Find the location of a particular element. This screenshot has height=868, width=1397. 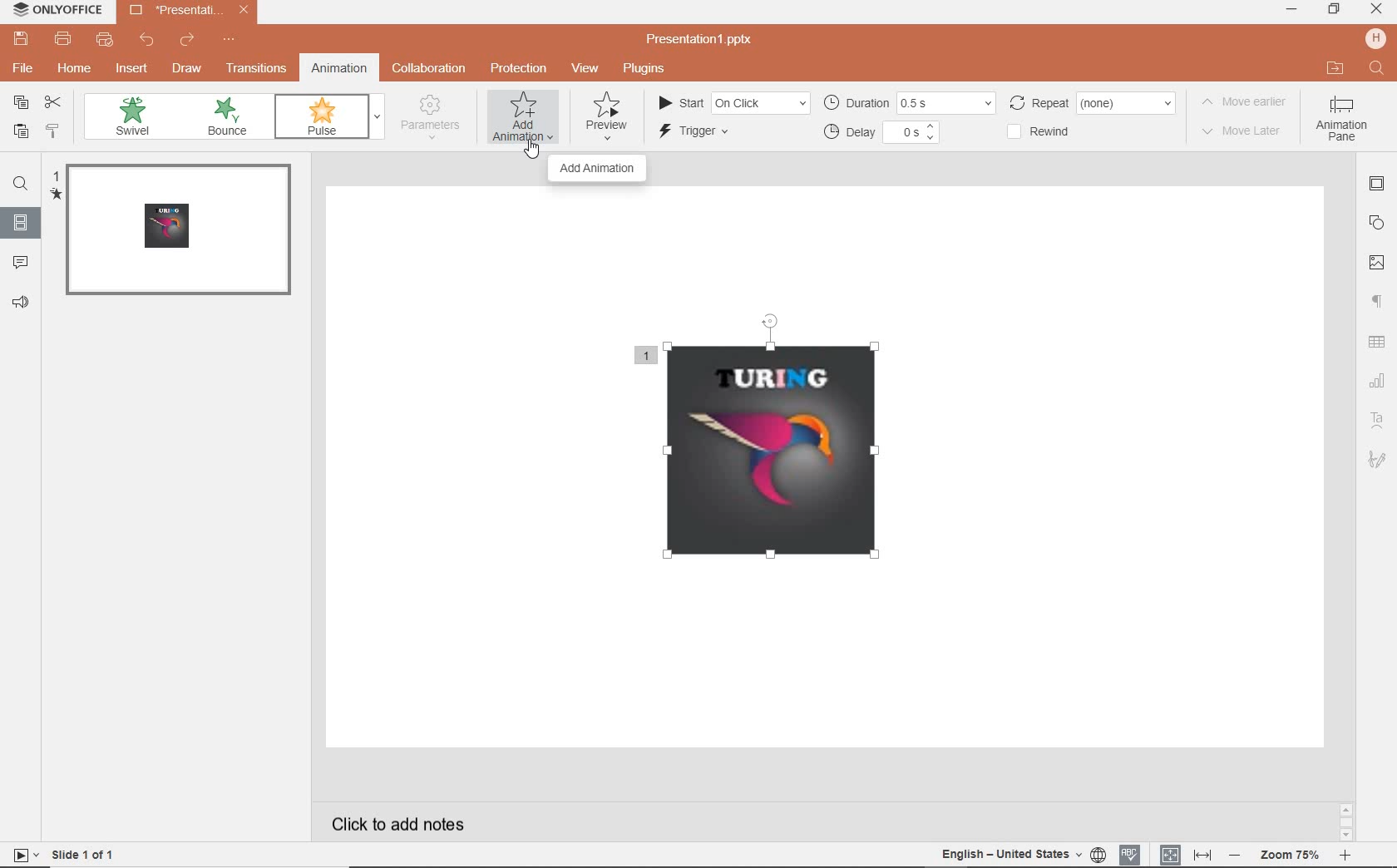

animation pane is located at coordinates (1349, 121).